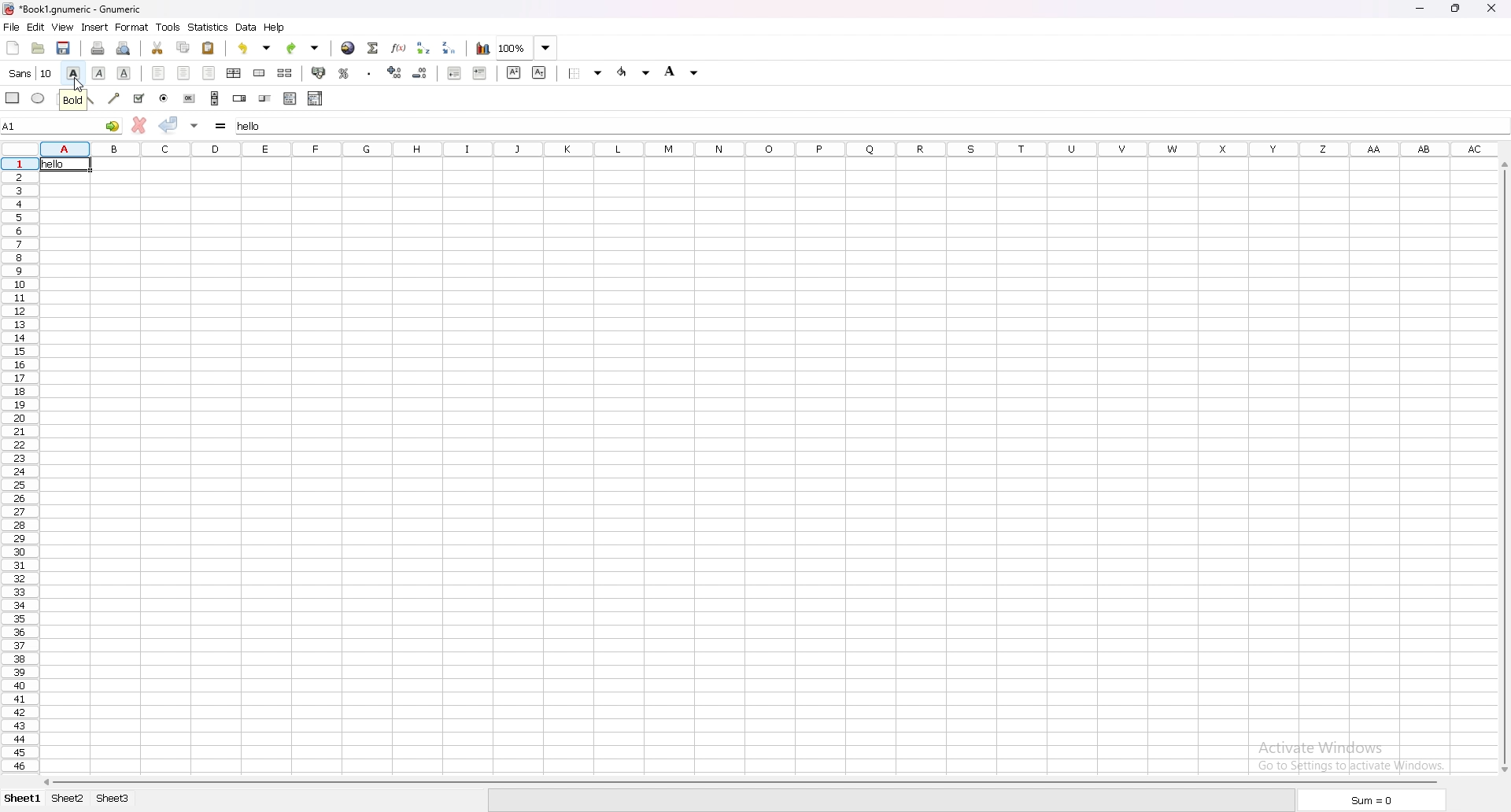  Describe the element at coordinates (63, 47) in the screenshot. I see `save` at that location.